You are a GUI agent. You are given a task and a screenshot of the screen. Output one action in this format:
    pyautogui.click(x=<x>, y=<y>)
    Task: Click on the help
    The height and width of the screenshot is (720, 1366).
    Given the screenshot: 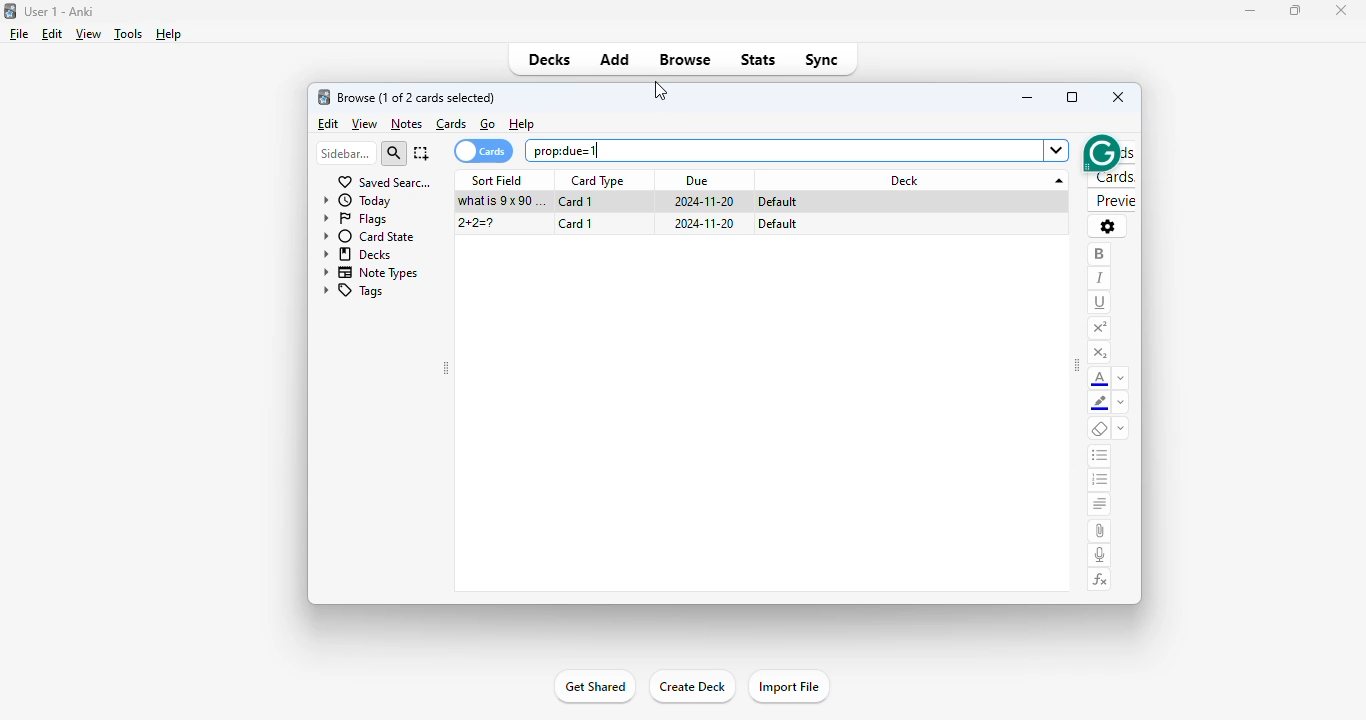 What is the action you would take?
    pyautogui.click(x=522, y=123)
    